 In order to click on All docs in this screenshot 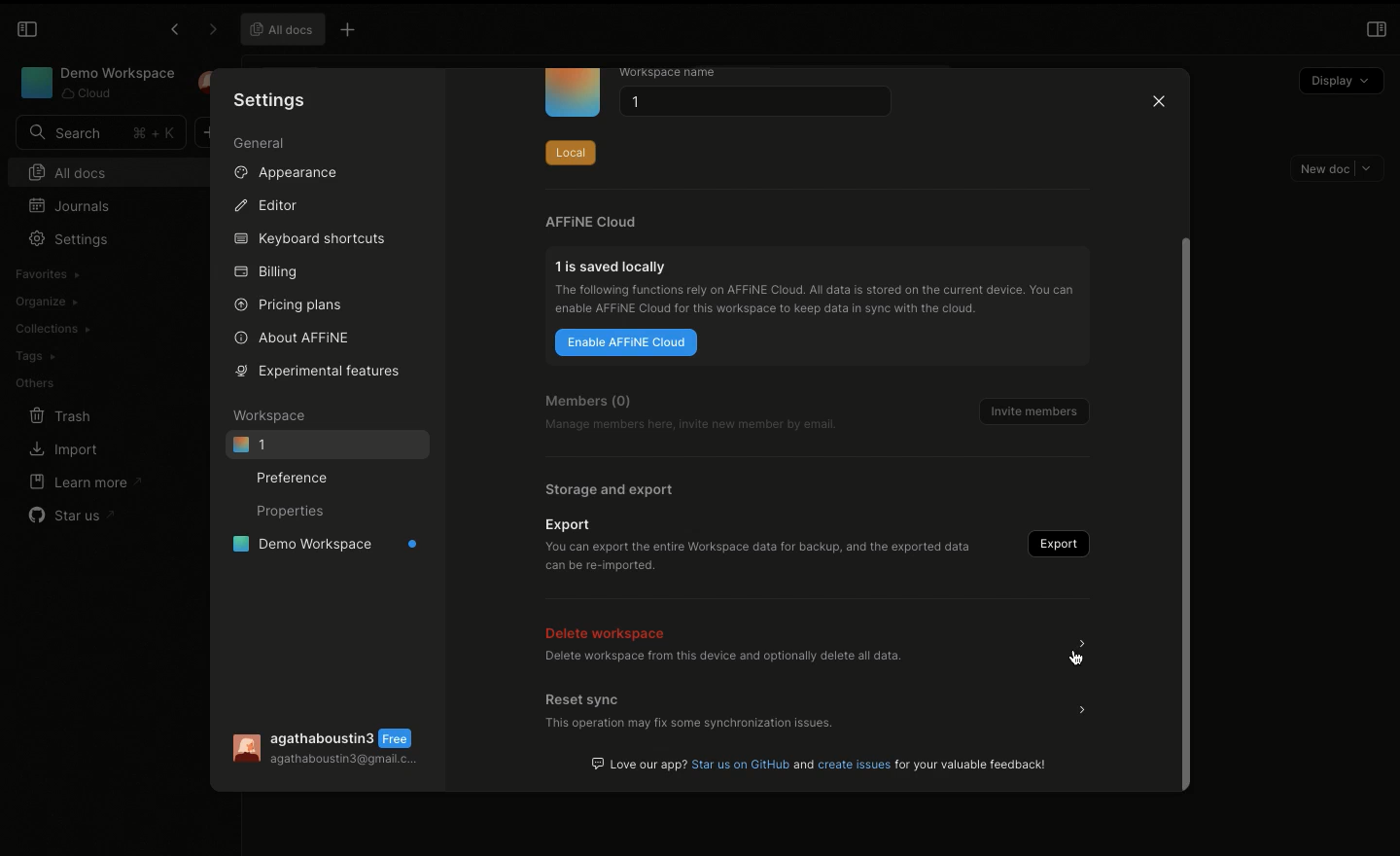, I will do `click(115, 170)`.